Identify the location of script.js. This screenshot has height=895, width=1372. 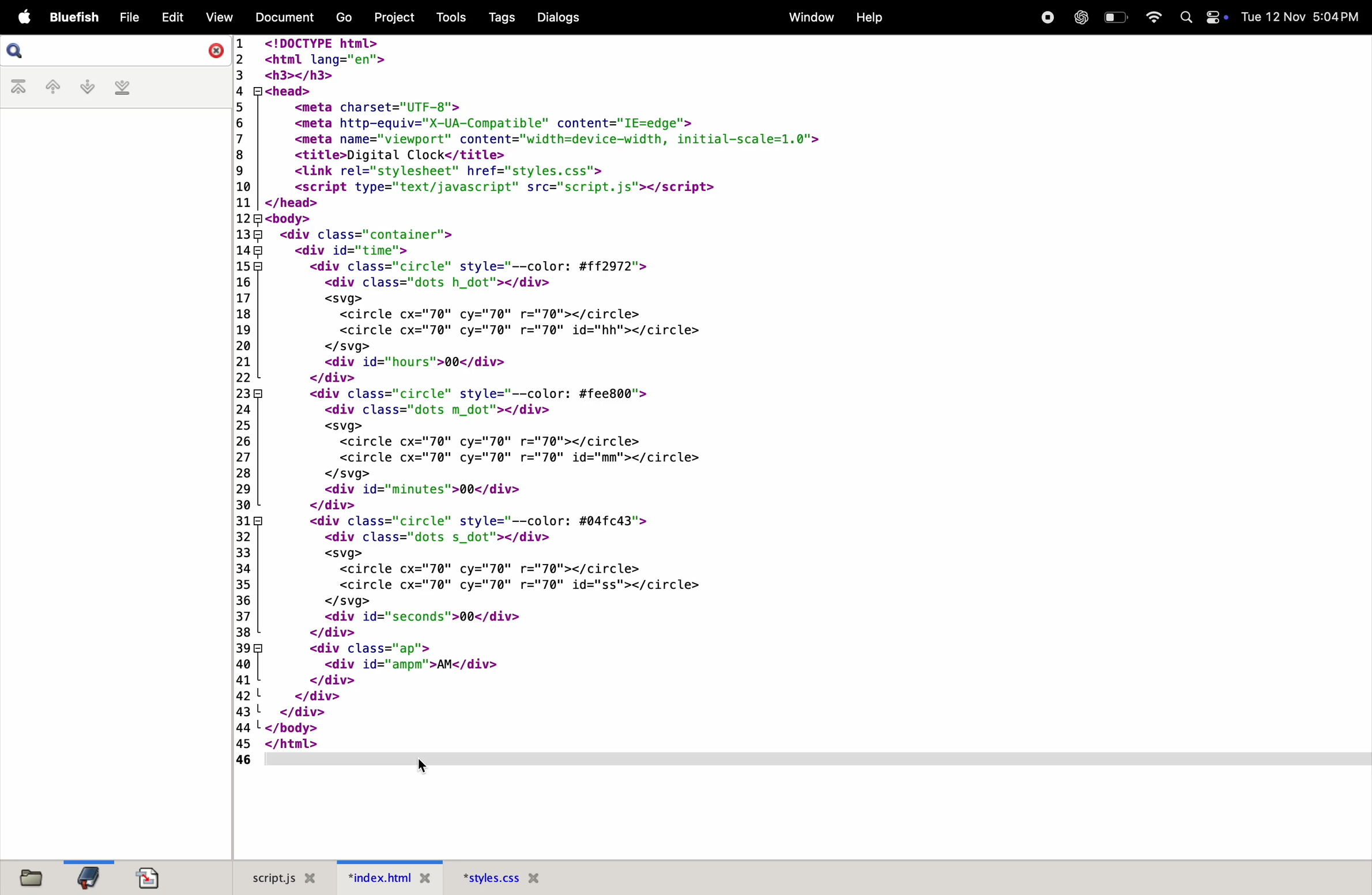
(281, 876).